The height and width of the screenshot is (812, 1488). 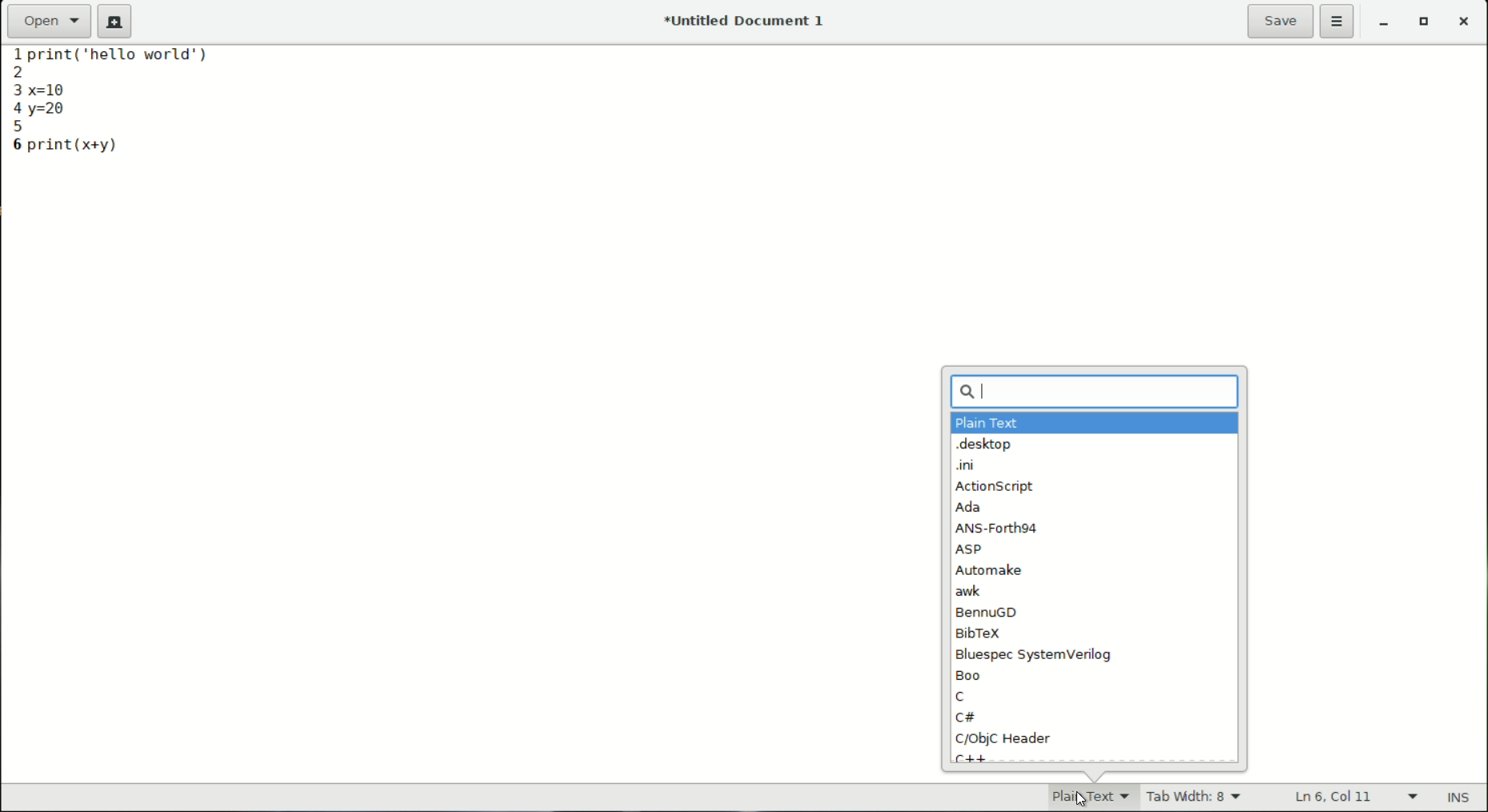 I want to click on asp, so click(x=971, y=549).